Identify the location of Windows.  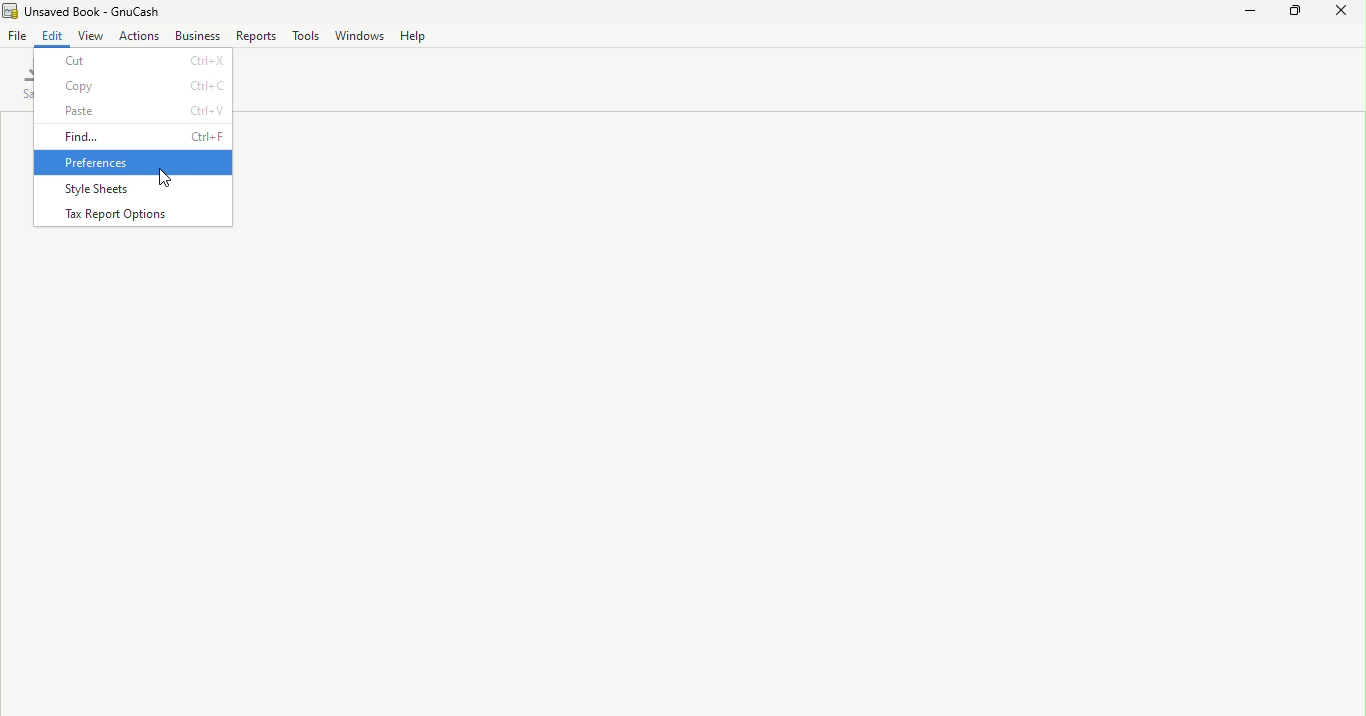
(357, 36).